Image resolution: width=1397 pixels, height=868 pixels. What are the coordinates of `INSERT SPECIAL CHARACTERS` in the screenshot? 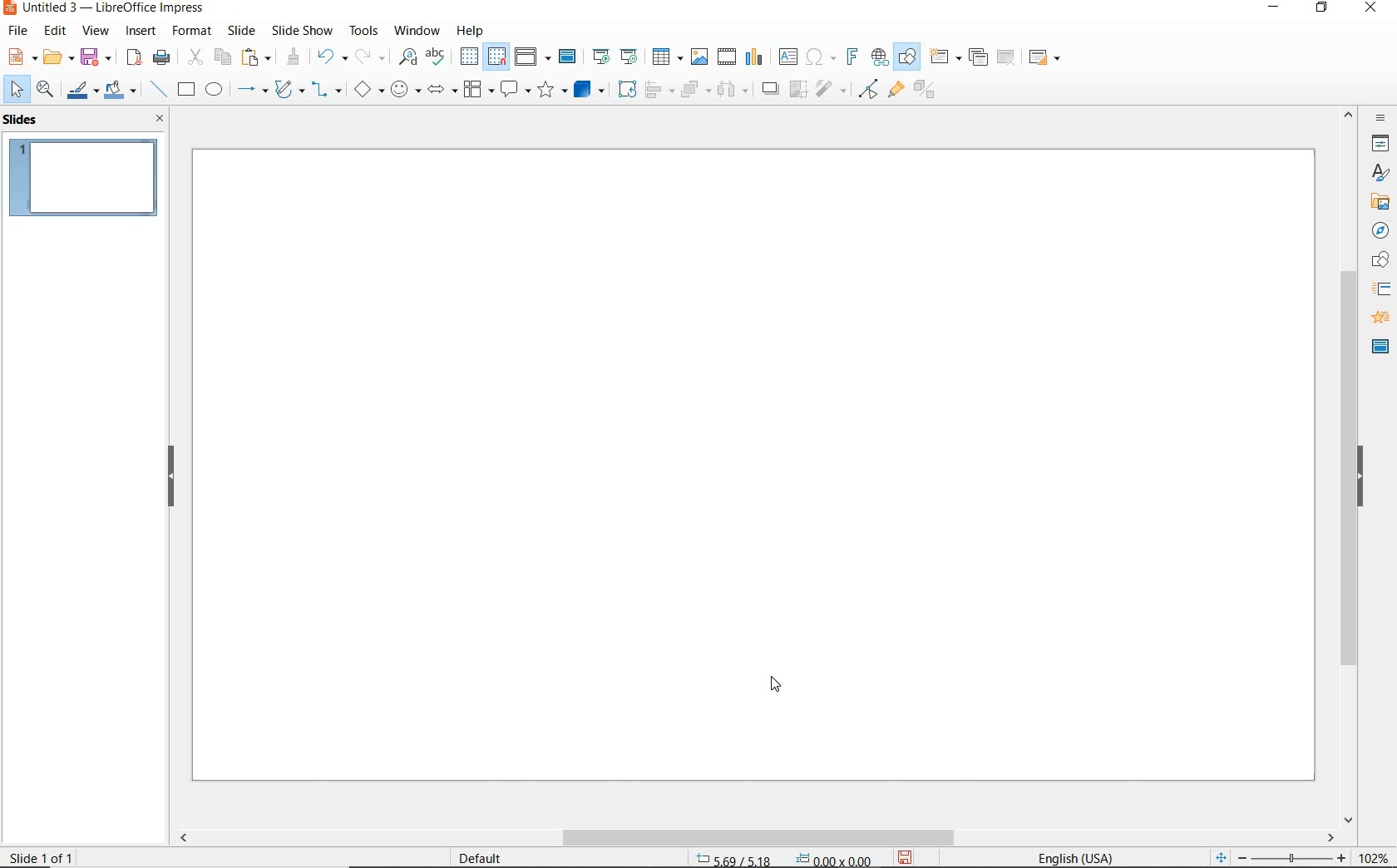 It's located at (819, 57).